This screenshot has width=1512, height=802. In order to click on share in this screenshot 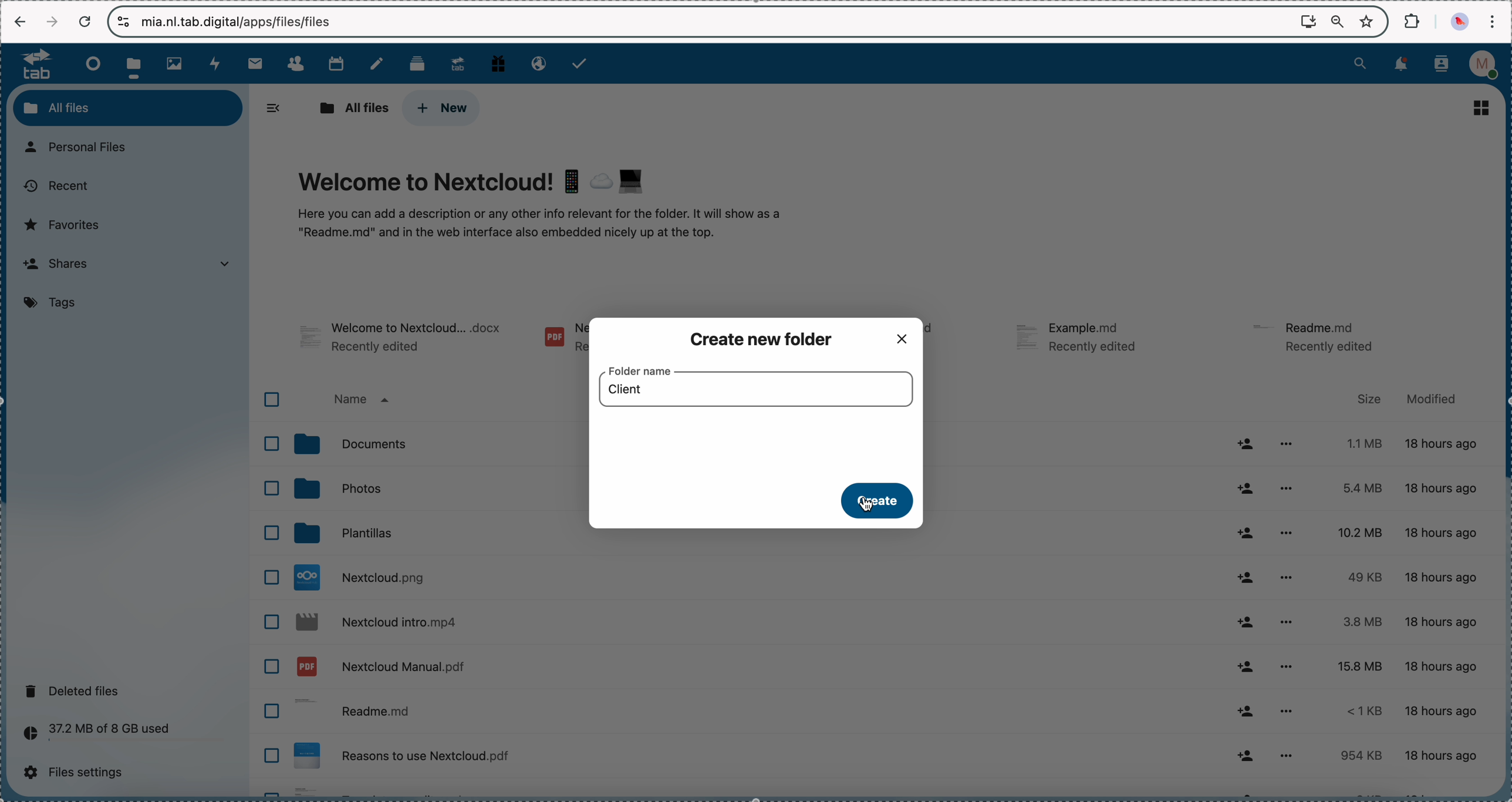, I will do `click(1248, 533)`.